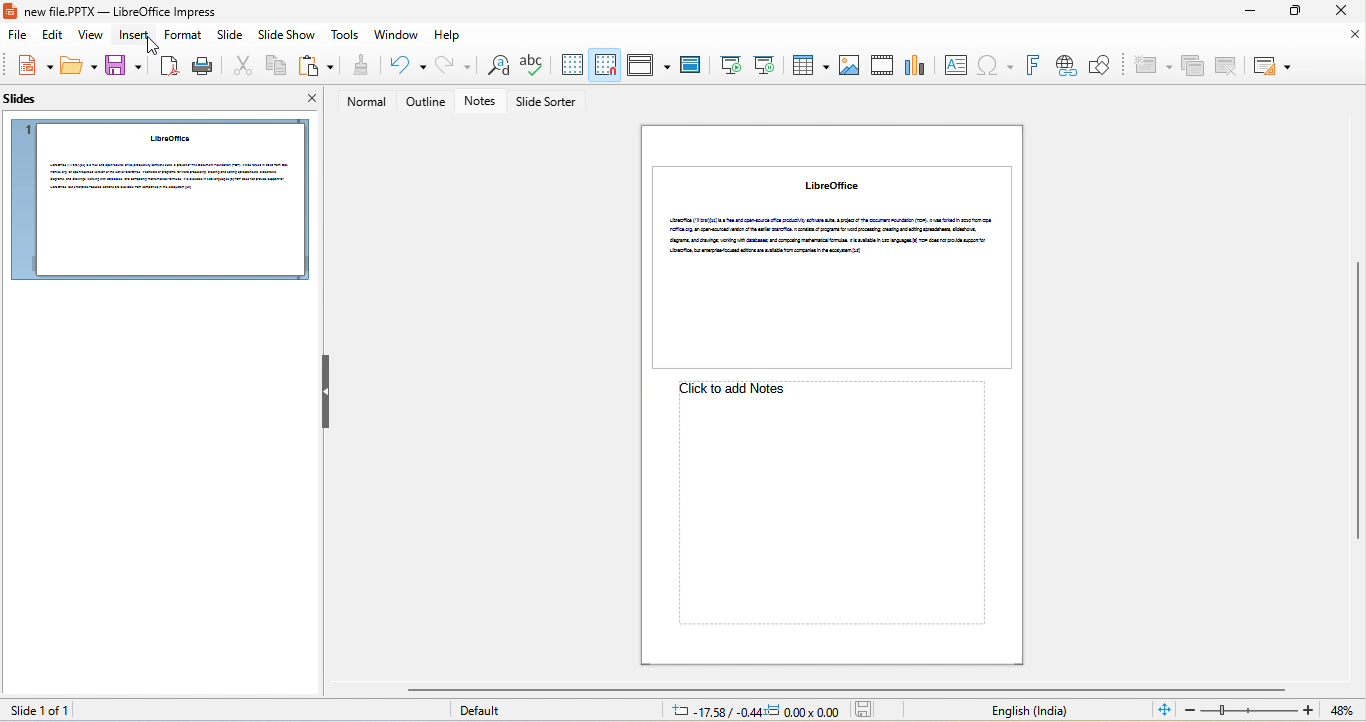  What do you see at coordinates (1338, 11) in the screenshot?
I see `close` at bounding box center [1338, 11].